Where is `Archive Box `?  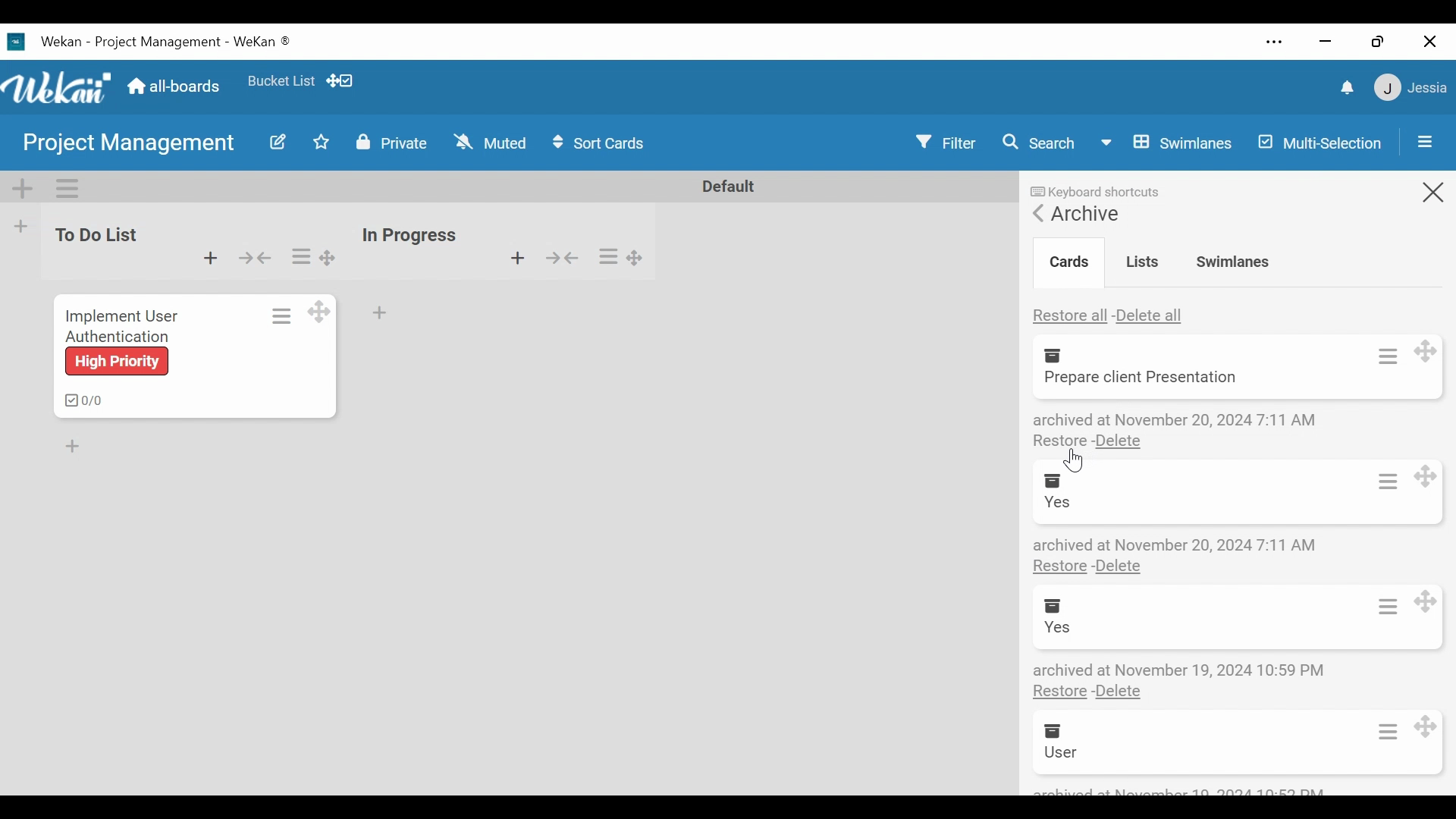
Archive Box  is located at coordinates (1047, 606).